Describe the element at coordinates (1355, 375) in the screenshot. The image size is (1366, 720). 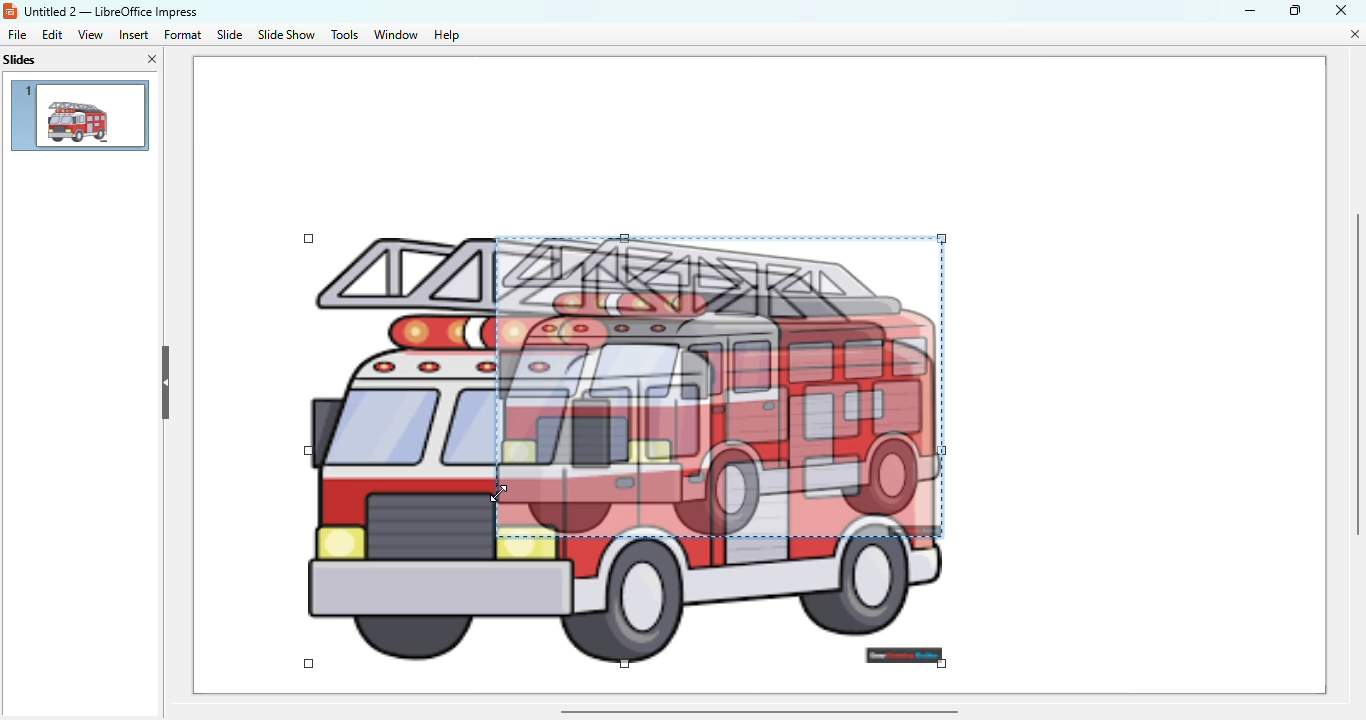
I see `vertical scroll bar` at that location.